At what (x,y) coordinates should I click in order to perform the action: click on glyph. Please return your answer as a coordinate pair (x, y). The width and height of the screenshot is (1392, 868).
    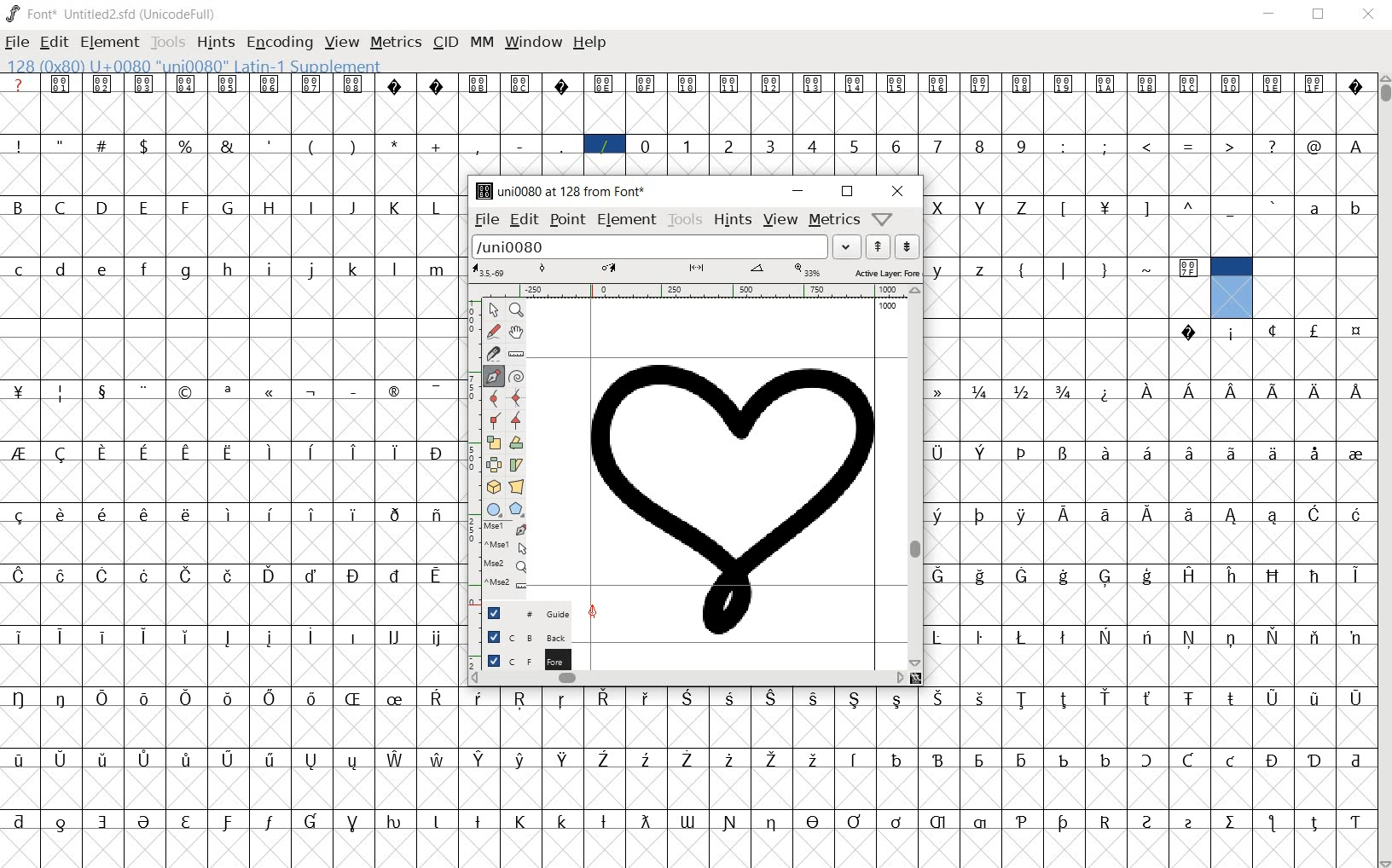
    Looking at the image, I should click on (1232, 335).